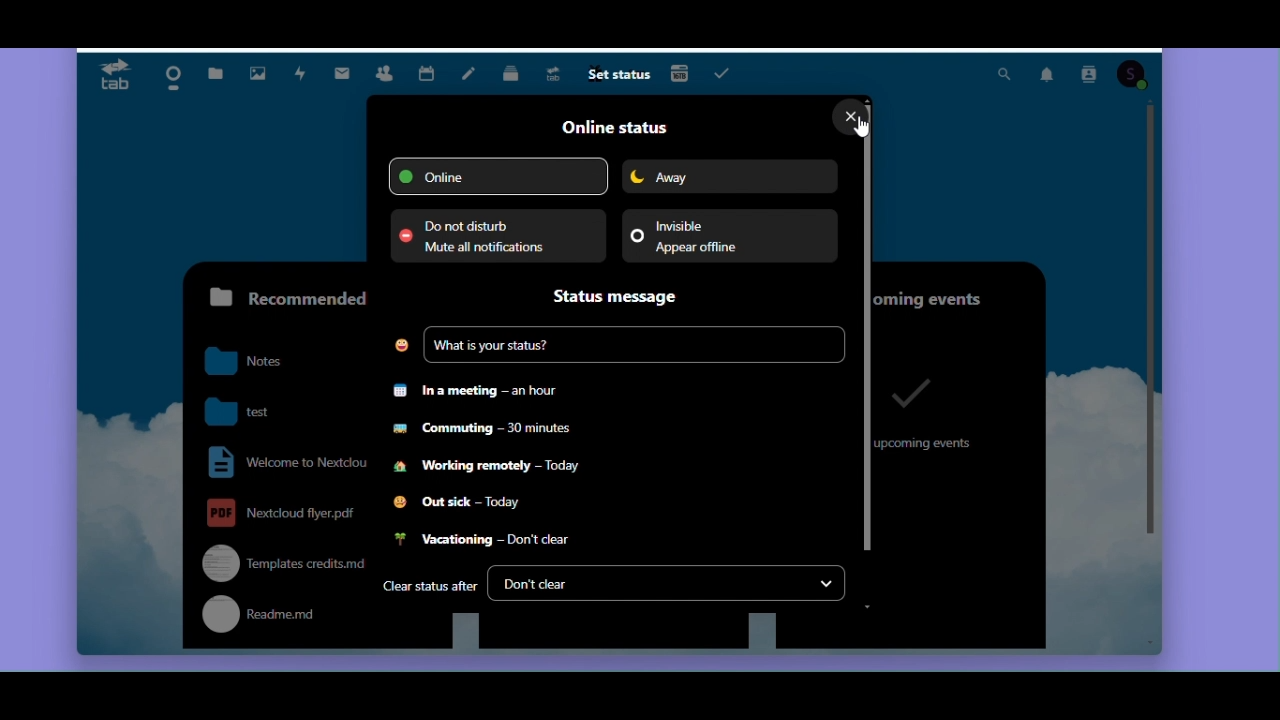  What do you see at coordinates (255, 70) in the screenshot?
I see `Photos` at bounding box center [255, 70].